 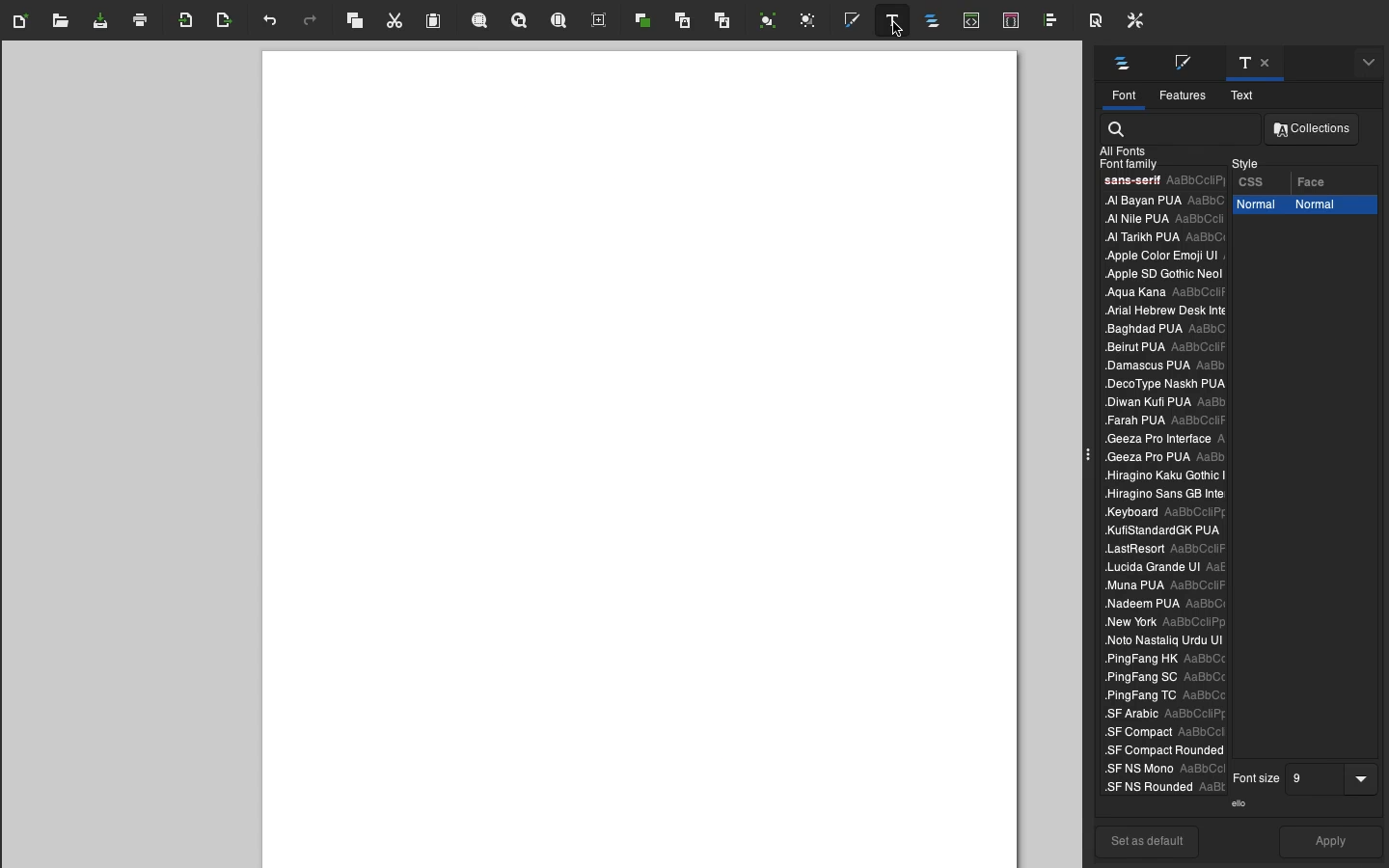 What do you see at coordinates (1118, 126) in the screenshot?
I see `Search` at bounding box center [1118, 126].